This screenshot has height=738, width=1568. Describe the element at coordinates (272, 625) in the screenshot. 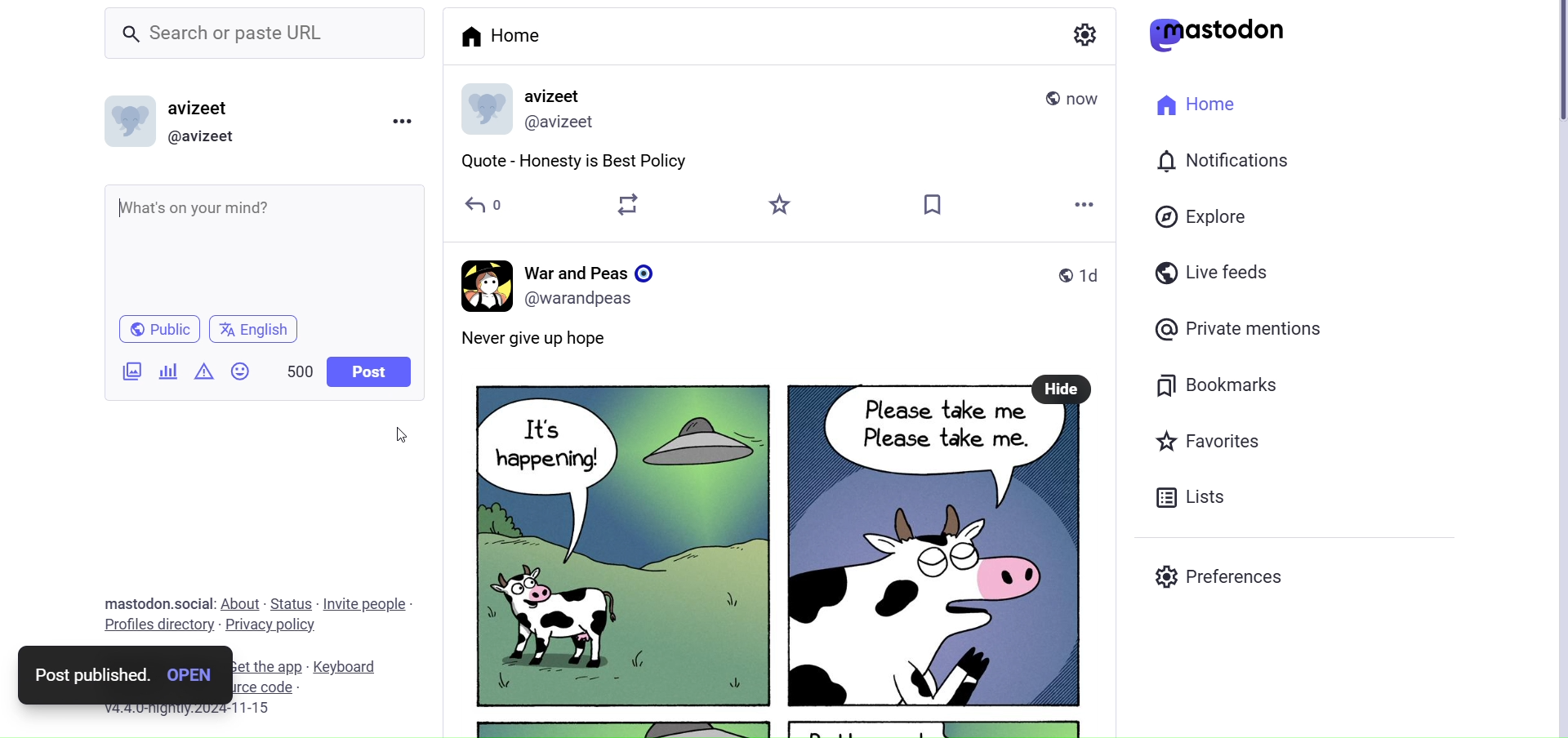

I see `Privacy Policy` at that location.